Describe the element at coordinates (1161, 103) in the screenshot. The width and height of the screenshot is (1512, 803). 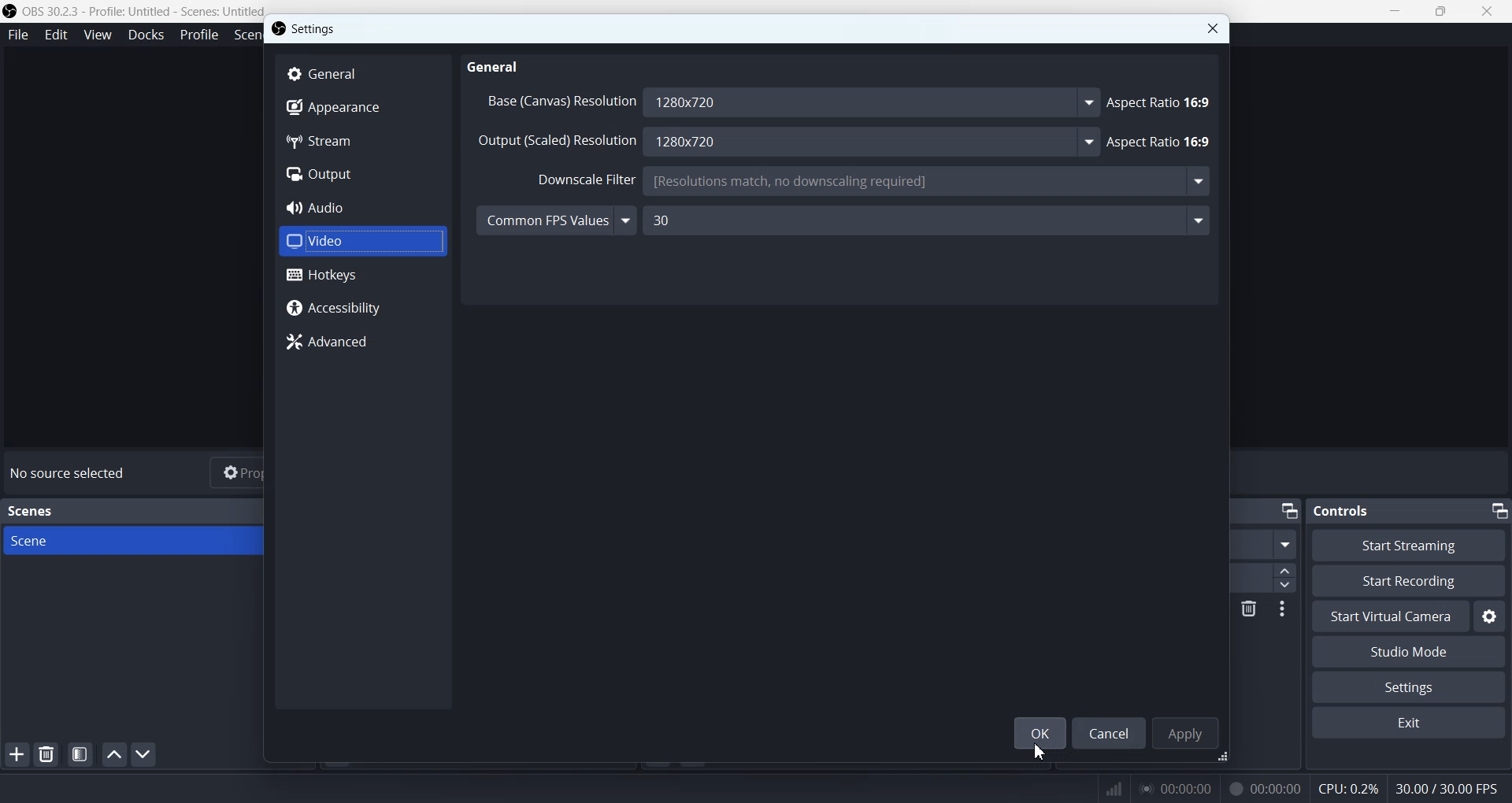
I see `Aspect Ratio 16:9` at that location.